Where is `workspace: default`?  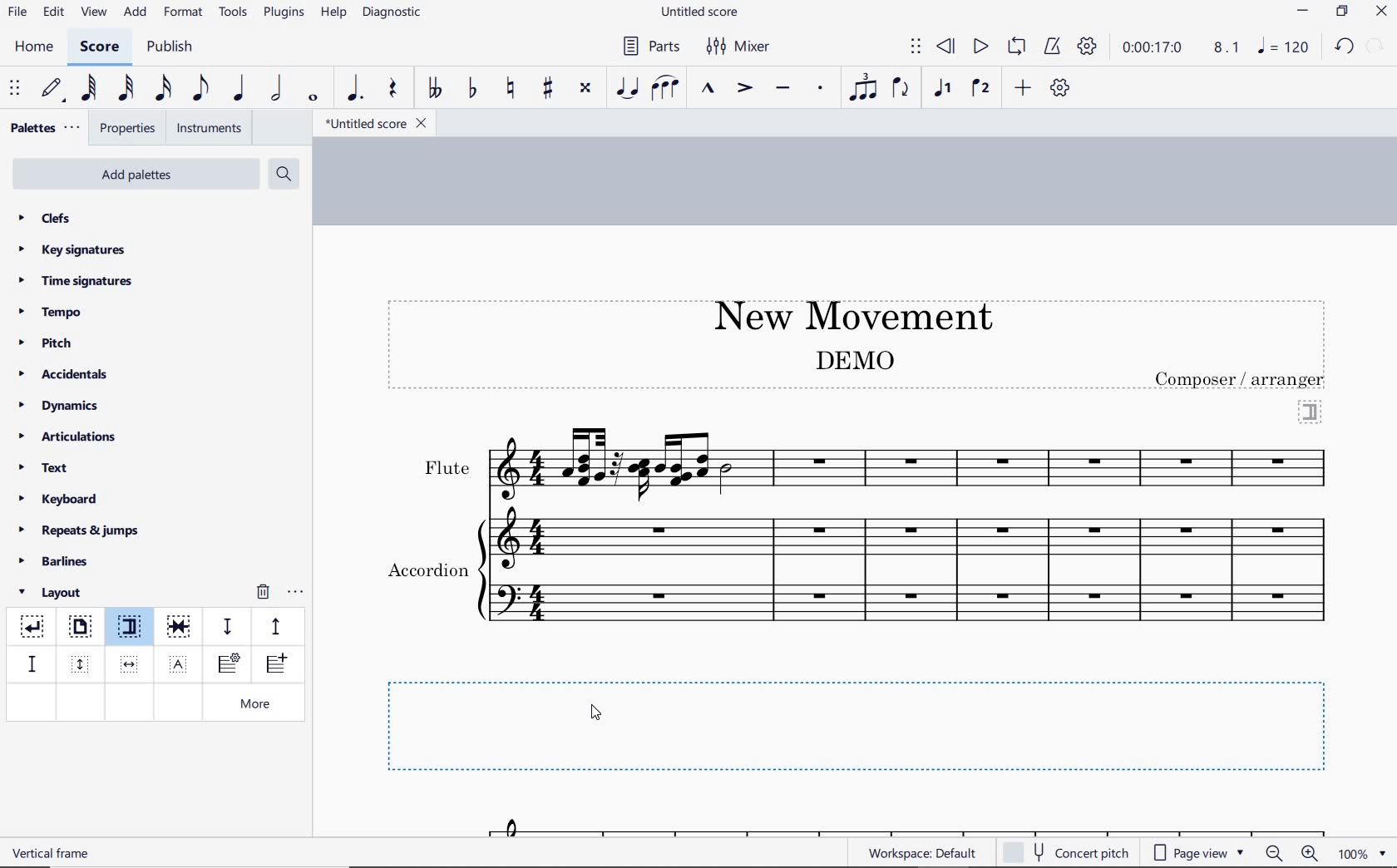
workspace: default is located at coordinates (920, 852).